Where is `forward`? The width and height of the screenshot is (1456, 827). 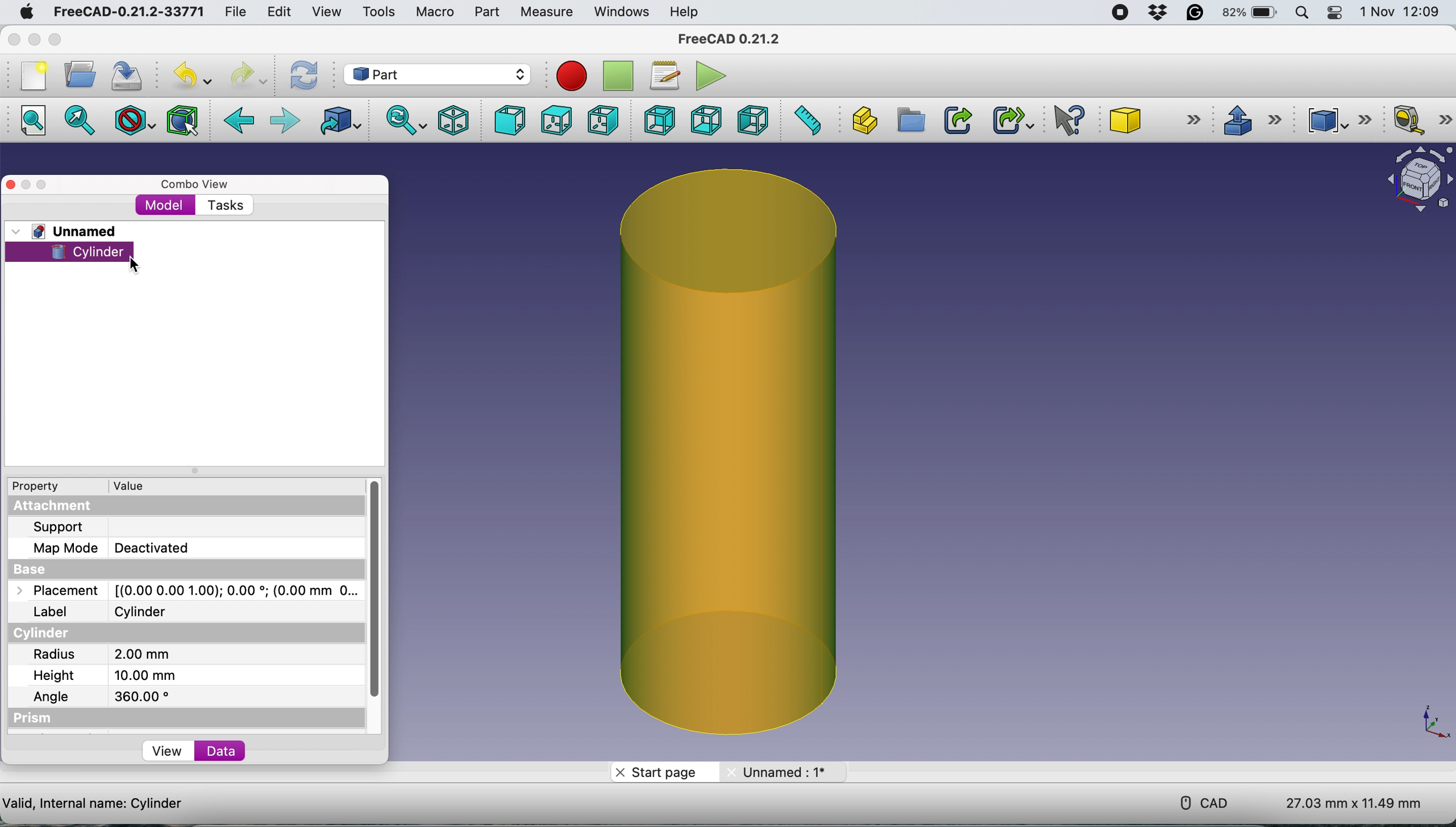
forward is located at coordinates (282, 119).